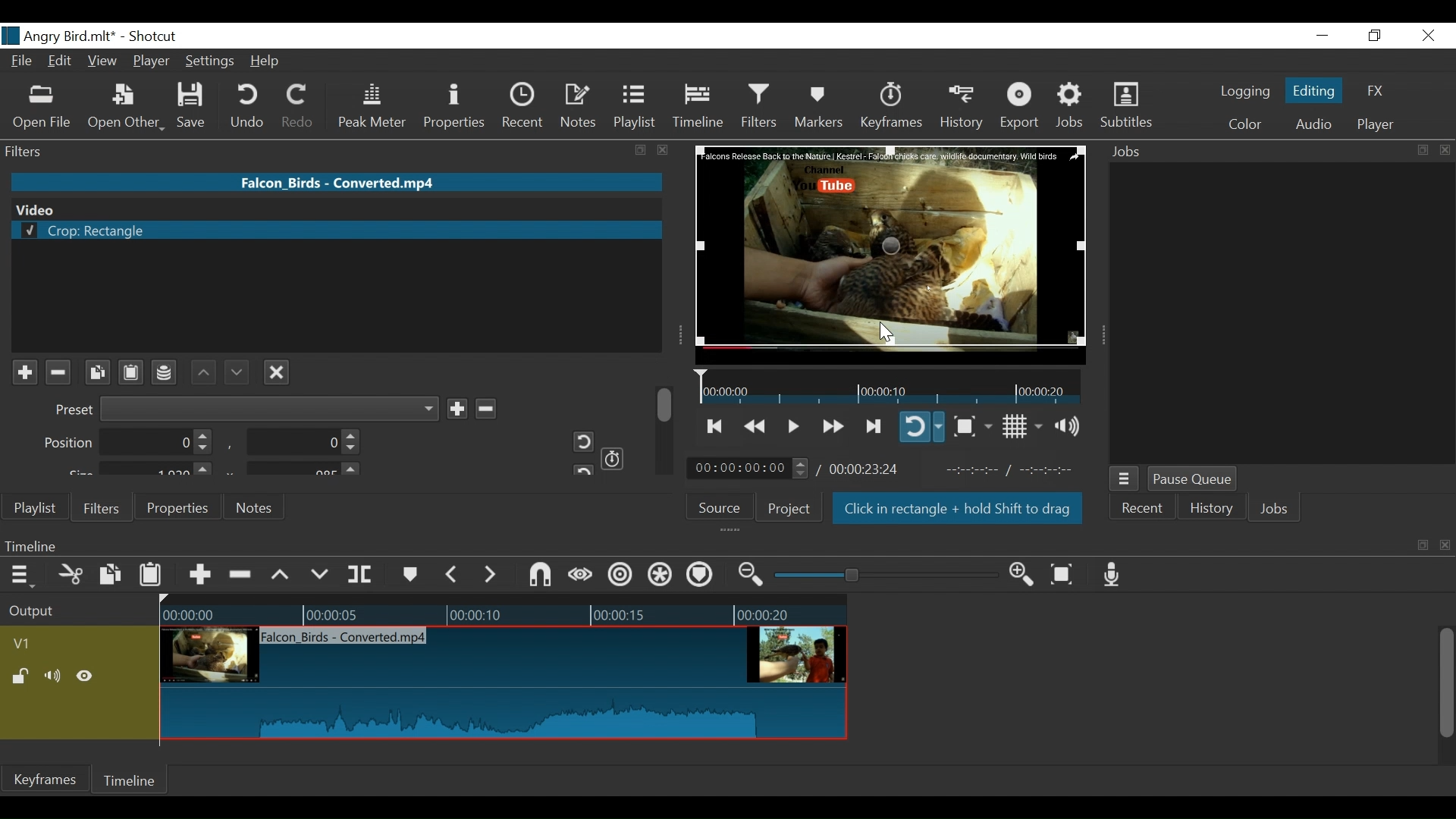 The height and width of the screenshot is (819, 1456). I want to click on Video Track Name, so click(66, 645).